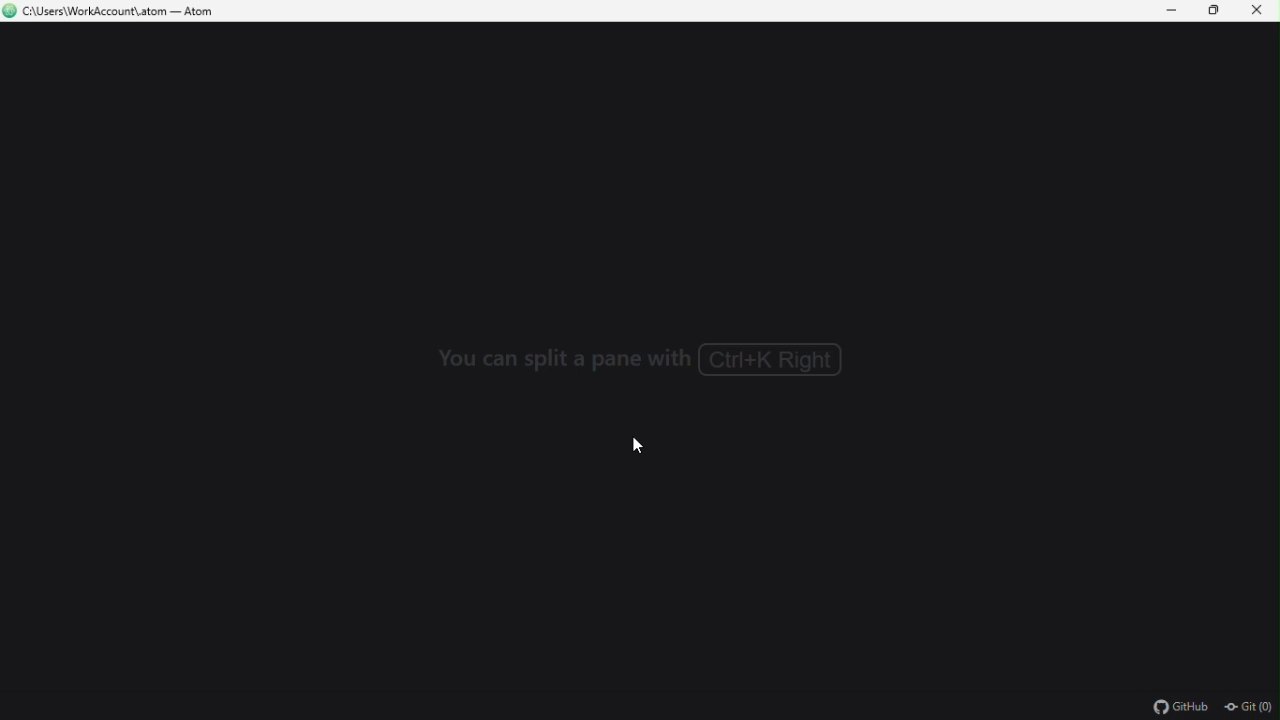 The height and width of the screenshot is (720, 1280). I want to click on Cursor, so click(641, 447).